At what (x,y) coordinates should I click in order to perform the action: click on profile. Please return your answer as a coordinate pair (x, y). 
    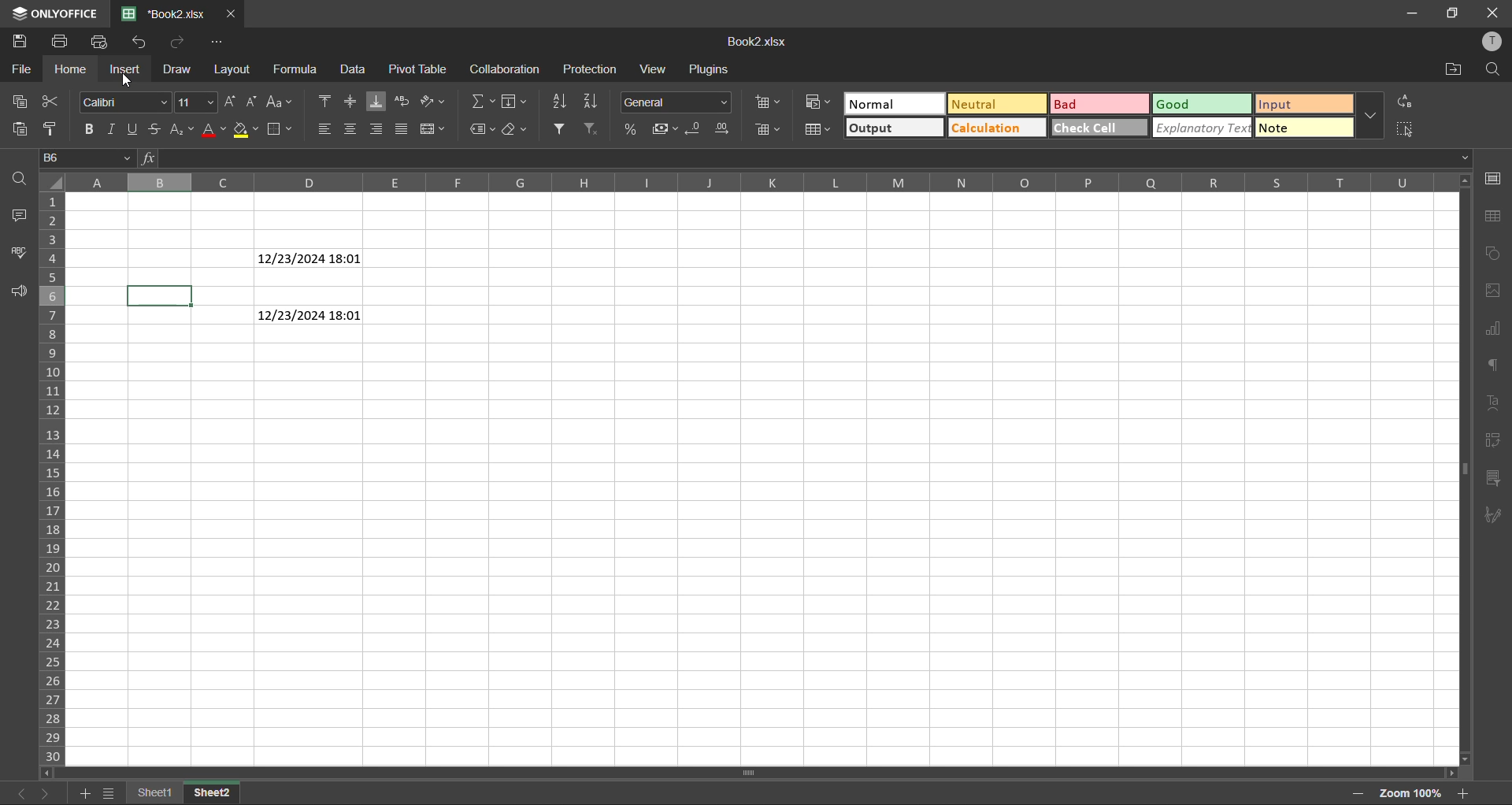
    Looking at the image, I should click on (1492, 42).